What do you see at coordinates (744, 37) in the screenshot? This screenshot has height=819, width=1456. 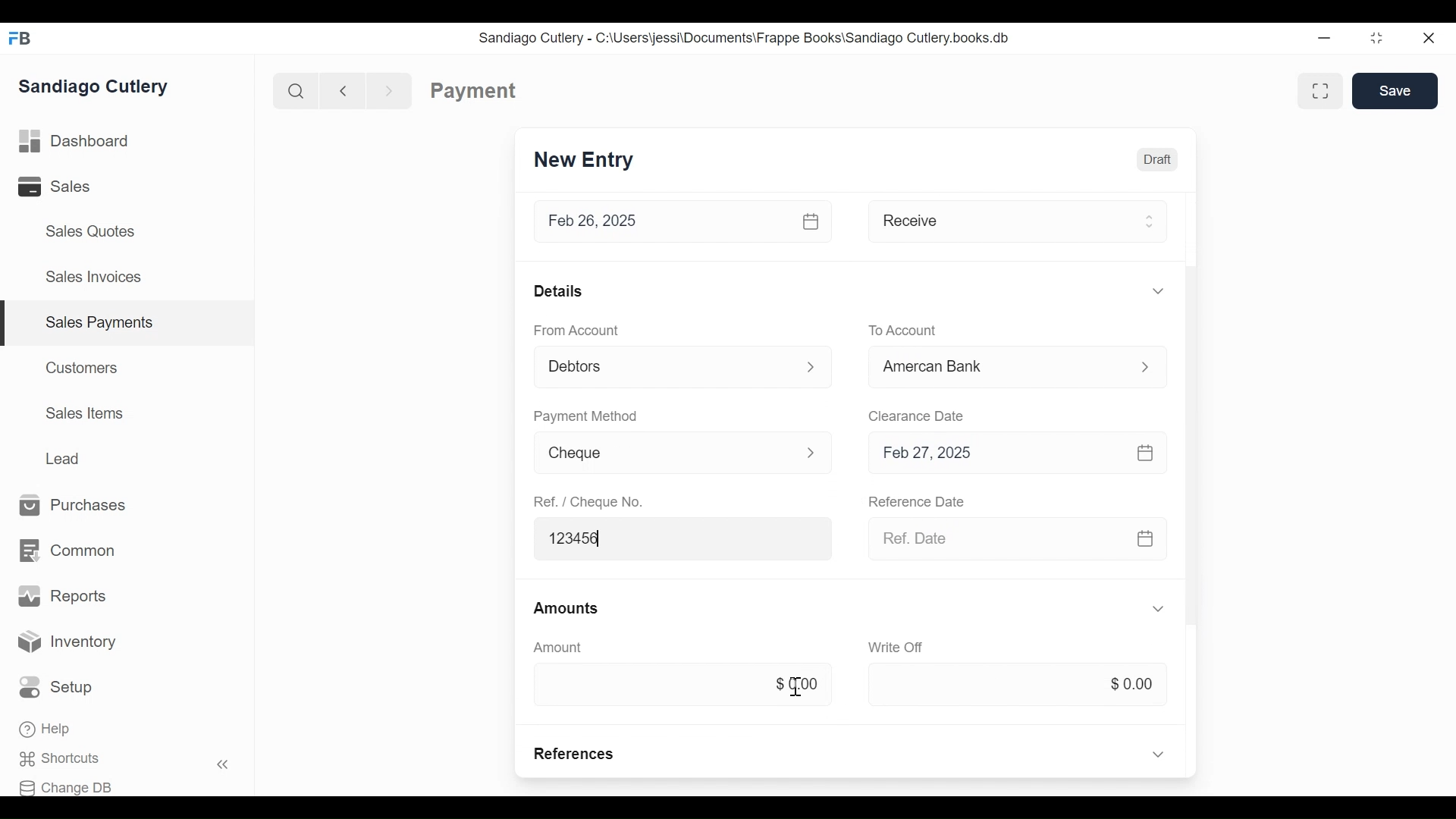 I see `Sandiago Cutlery - C:\Users\jessi\Documents\Frappe Books\Sandiago Cutlery.books.db` at bounding box center [744, 37].